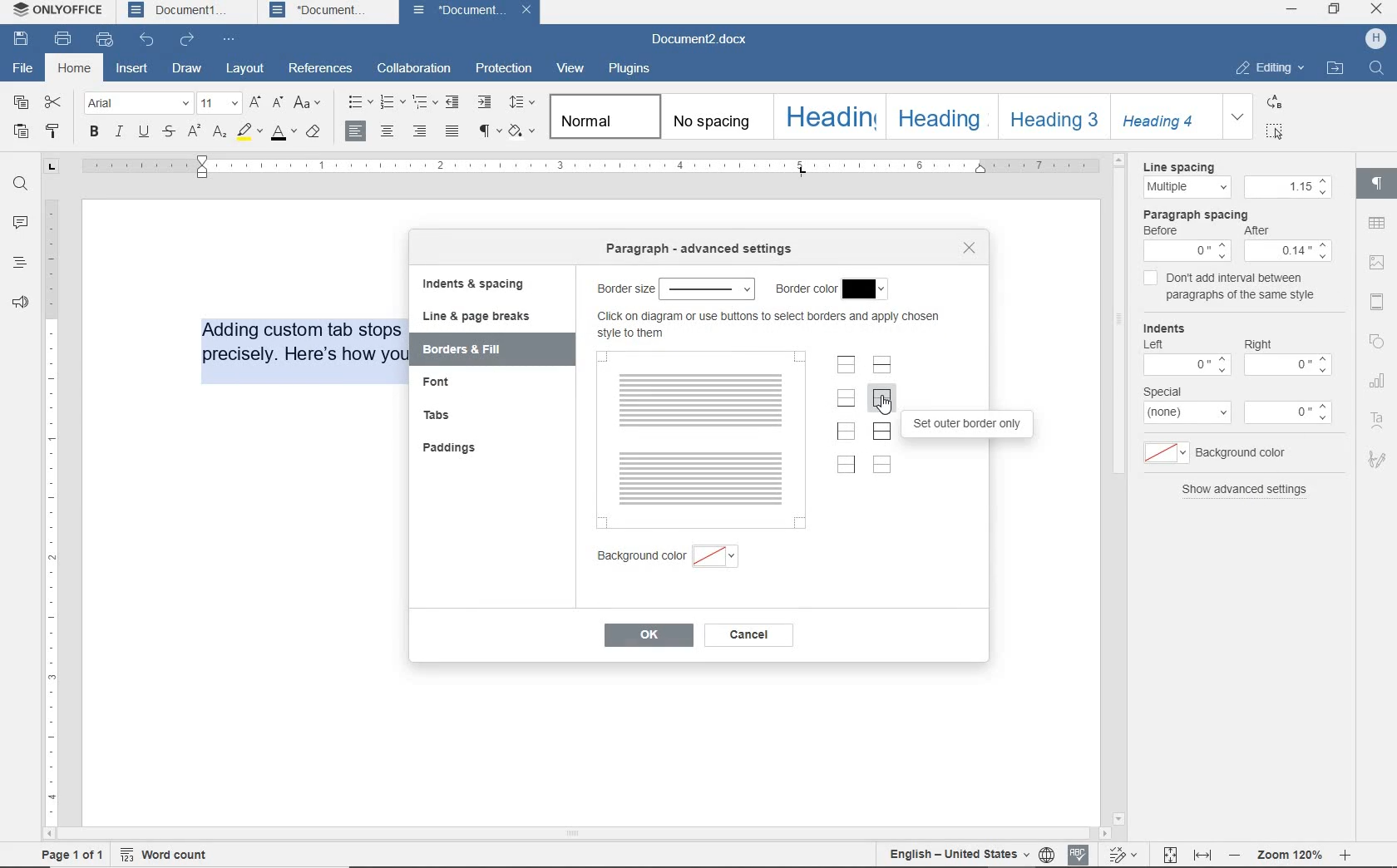 This screenshot has height=868, width=1397. I want to click on paragraph - advanced settings, so click(673, 289).